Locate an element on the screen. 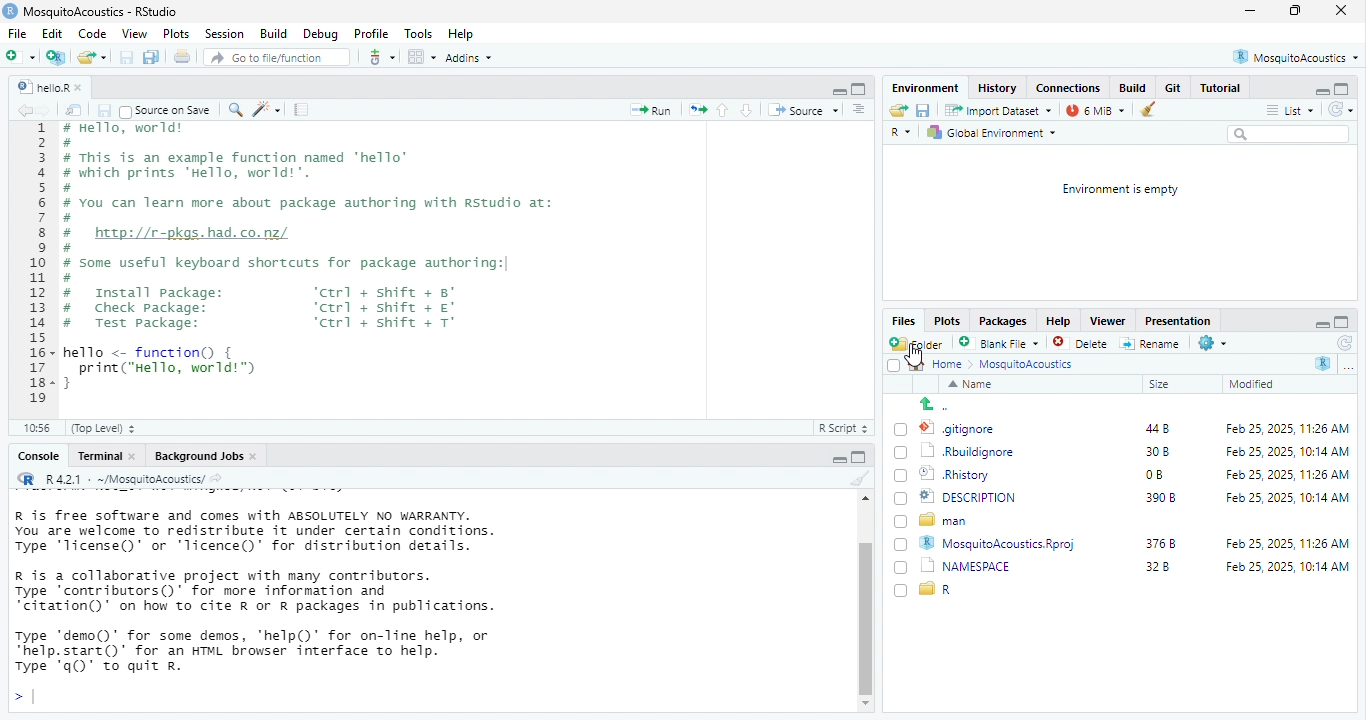 This screenshot has width=1366, height=720. 448 is located at coordinates (1151, 428).